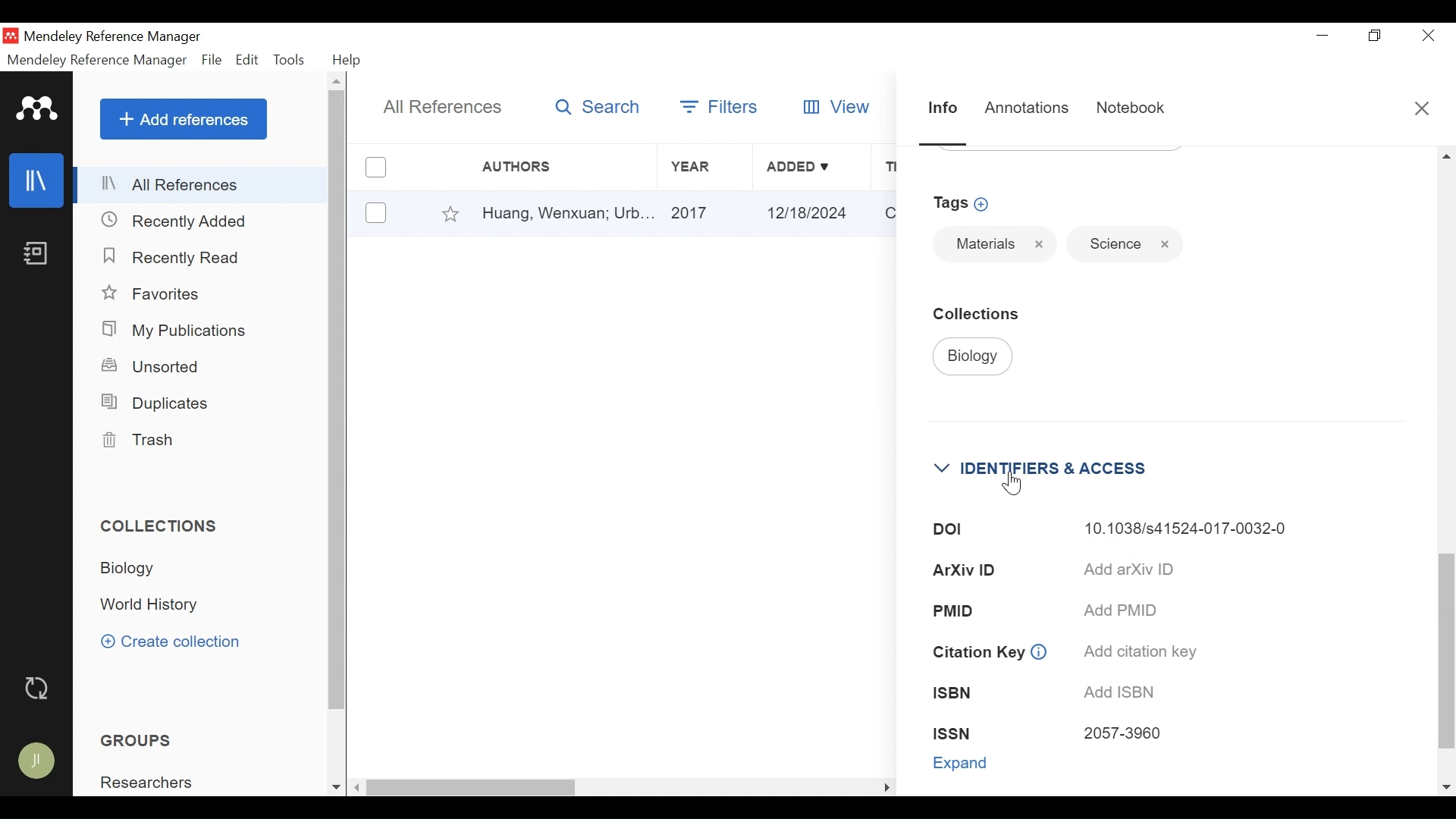 This screenshot has width=1456, height=819. I want to click on Citation Key, so click(975, 652).